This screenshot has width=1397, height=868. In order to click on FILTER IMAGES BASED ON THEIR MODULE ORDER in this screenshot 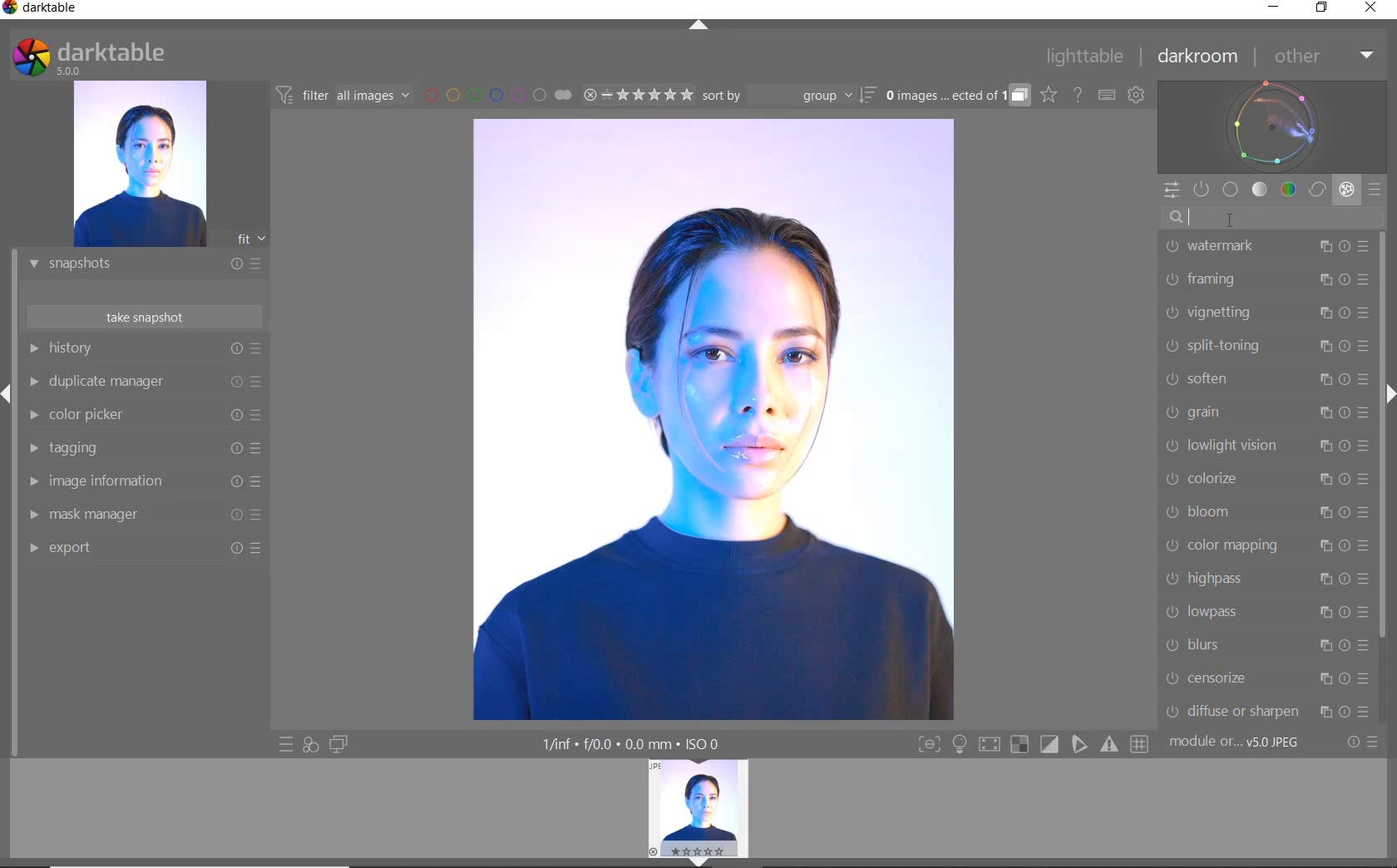, I will do `click(343, 98)`.